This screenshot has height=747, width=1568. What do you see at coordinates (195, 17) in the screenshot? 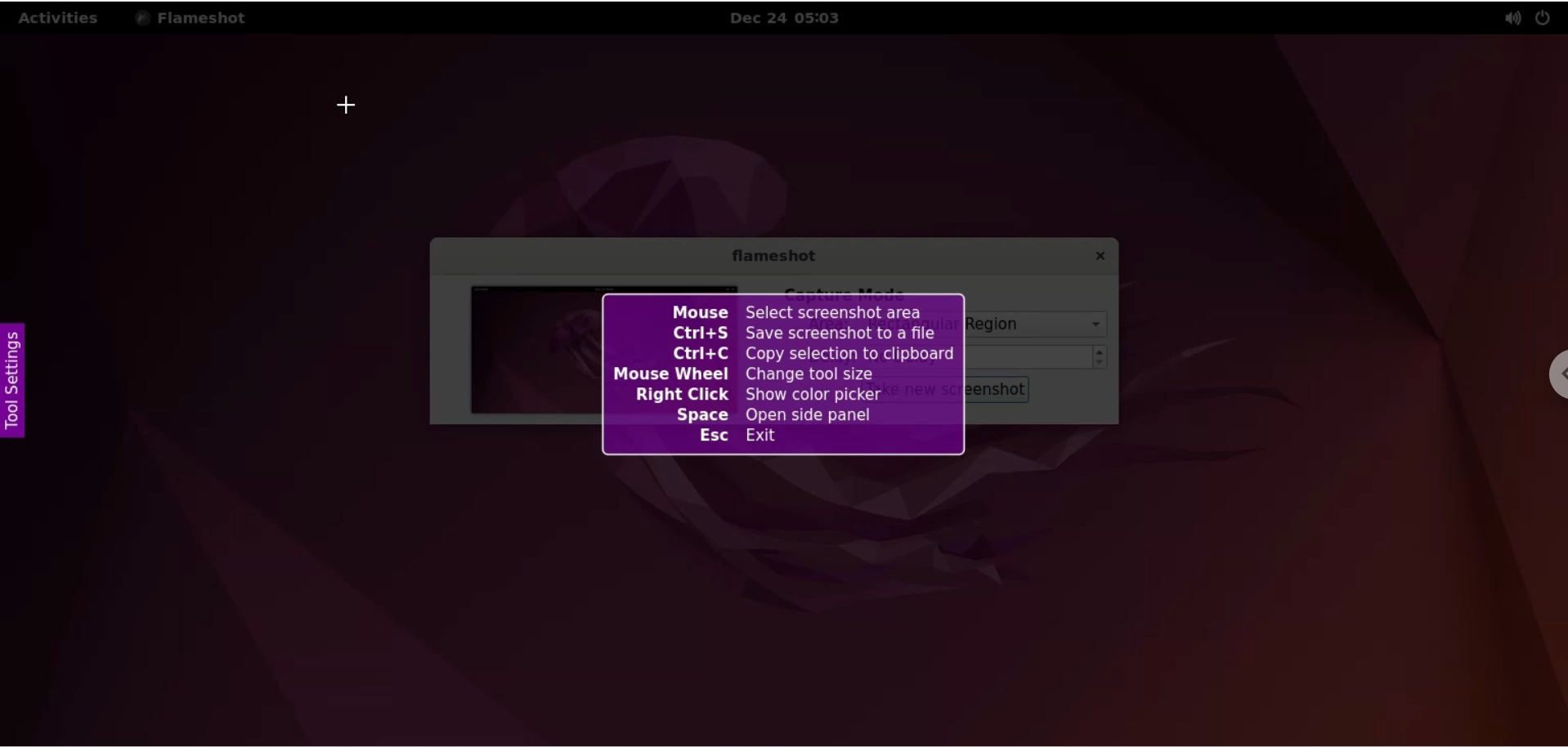
I see `flameshot options` at bounding box center [195, 17].